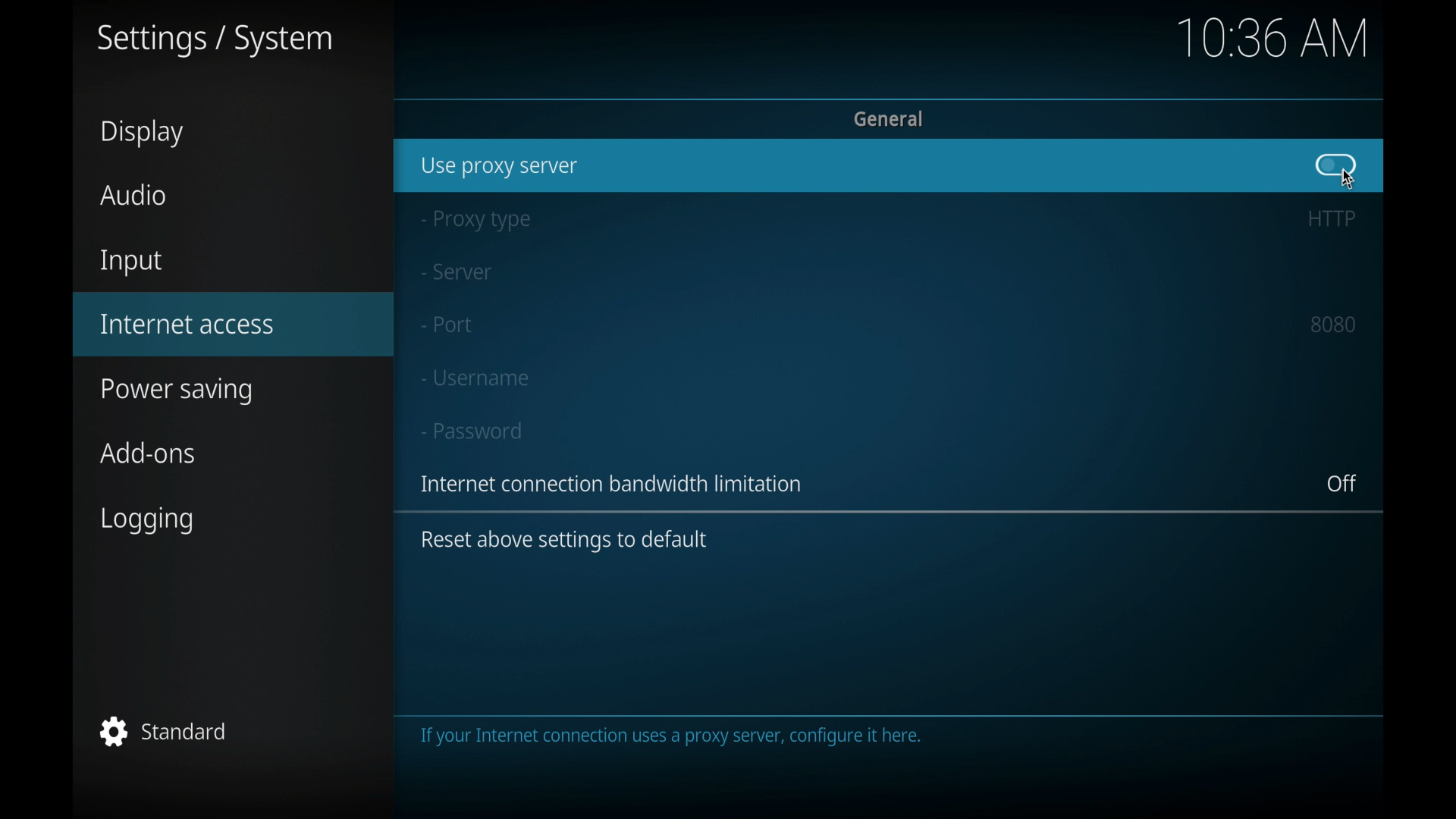  What do you see at coordinates (500, 167) in the screenshot?
I see `use proxy server` at bounding box center [500, 167].